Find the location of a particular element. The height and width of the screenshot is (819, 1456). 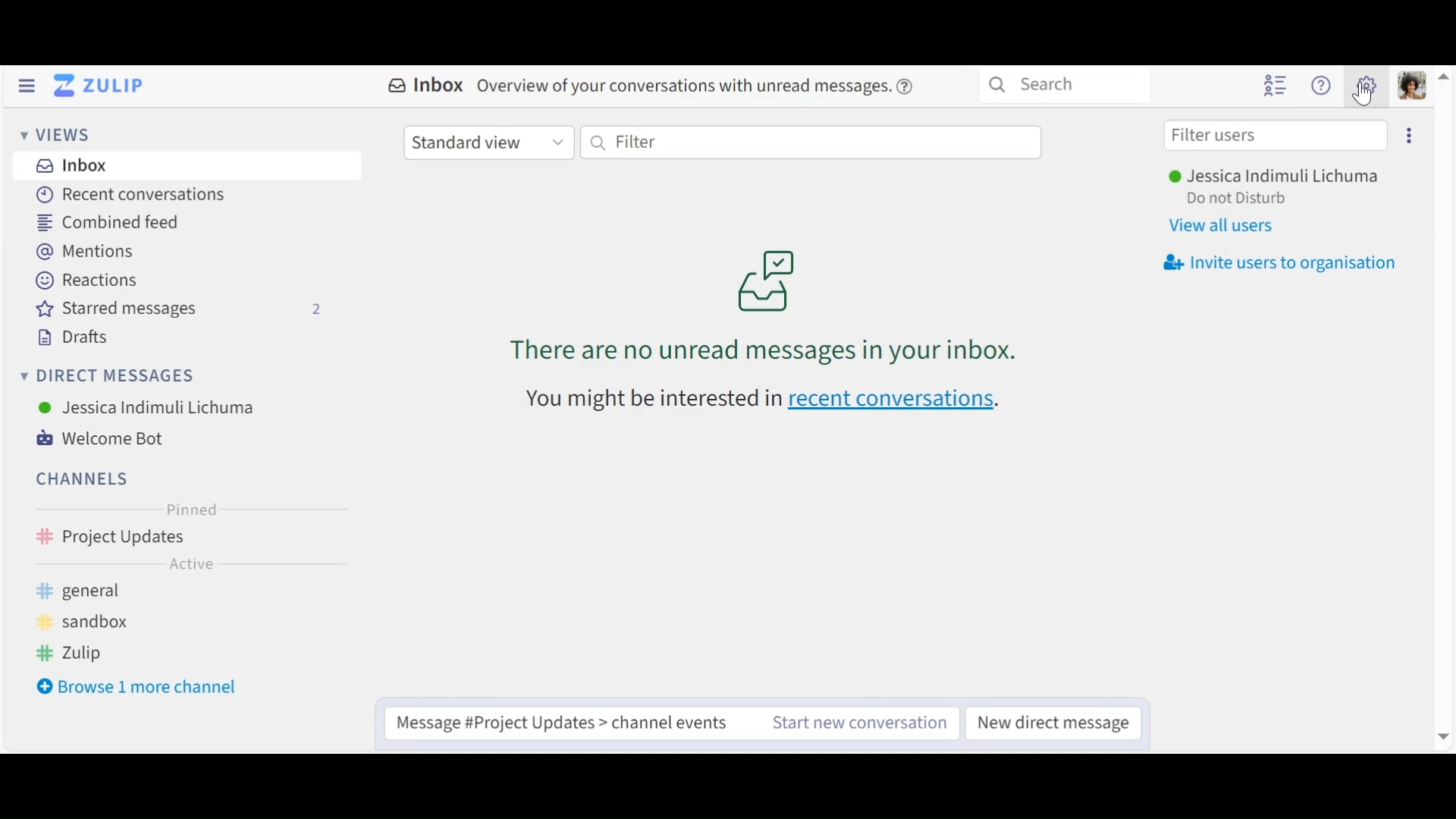

Mentions is located at coordinates (83, 249).